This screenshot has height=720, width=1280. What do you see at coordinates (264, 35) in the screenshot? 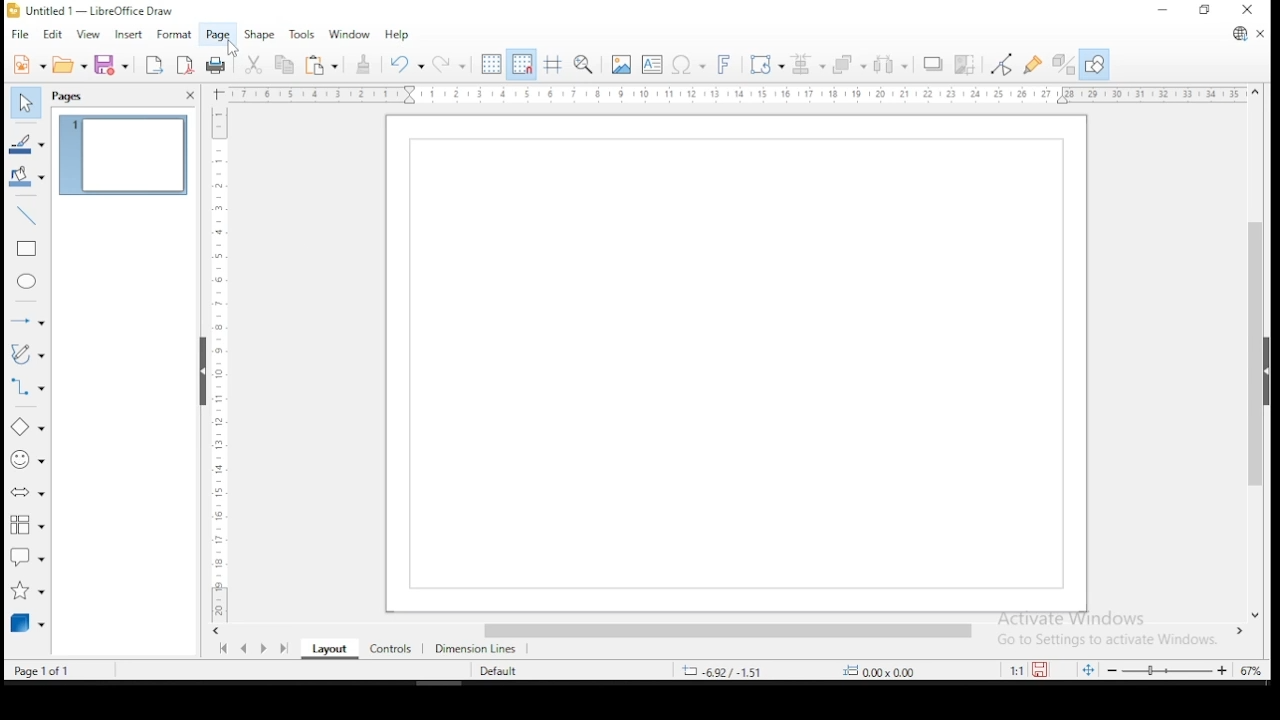
I see `shape` at bounding box center [264, 35].